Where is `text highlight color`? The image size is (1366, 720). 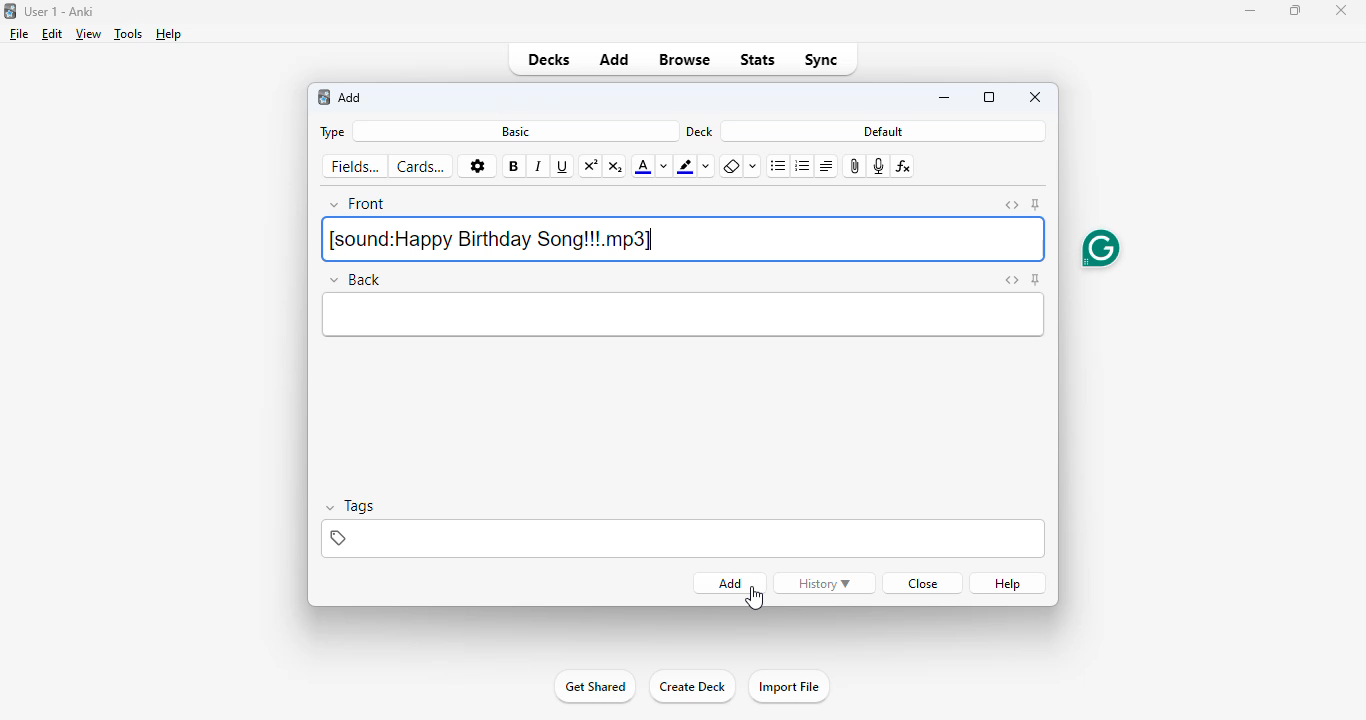
text highlight color is located at coordinates (685, 166).